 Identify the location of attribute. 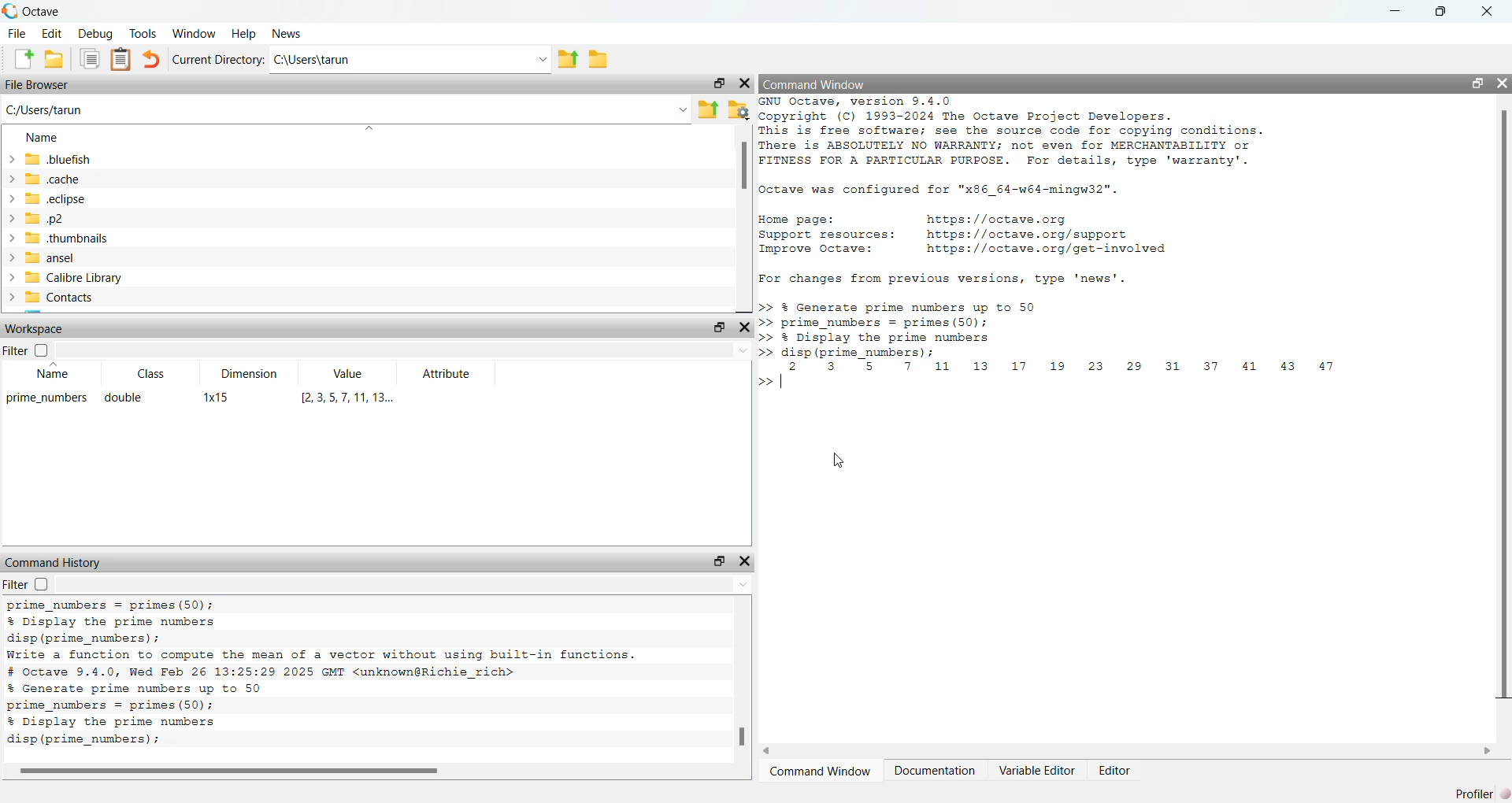
(447, 374).